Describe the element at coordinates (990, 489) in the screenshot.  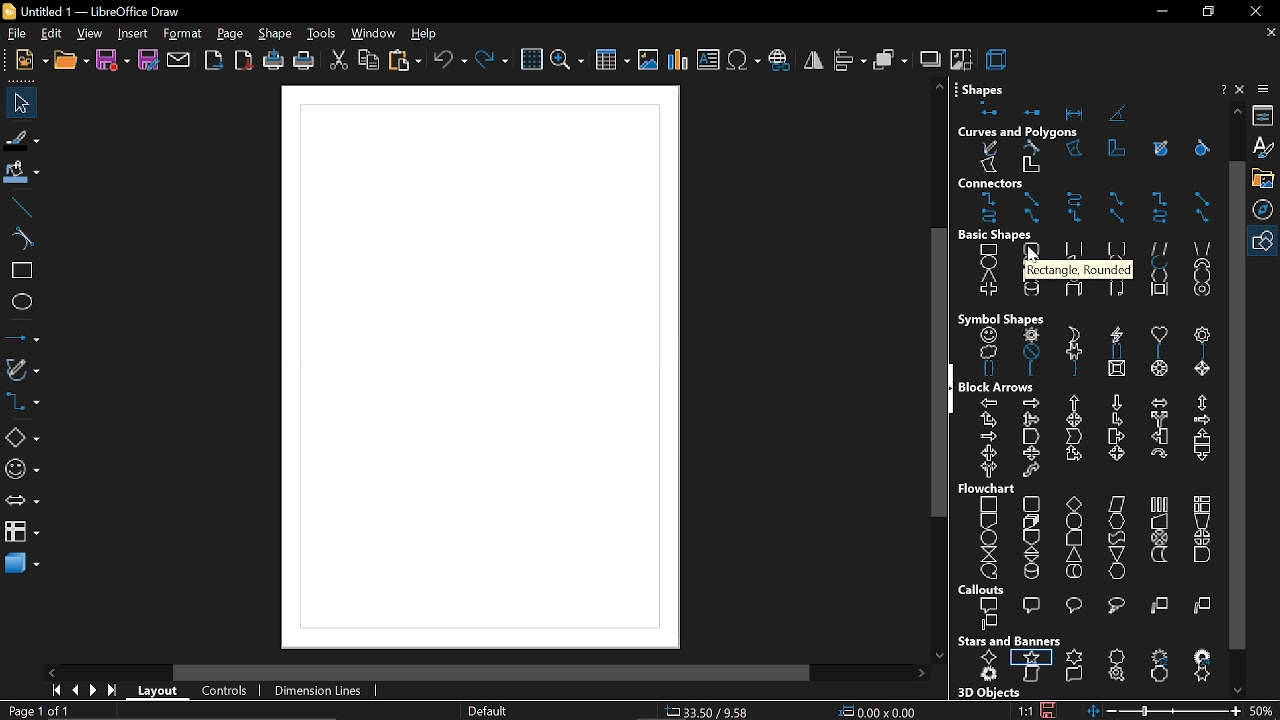
I see `flow chart` at that location.